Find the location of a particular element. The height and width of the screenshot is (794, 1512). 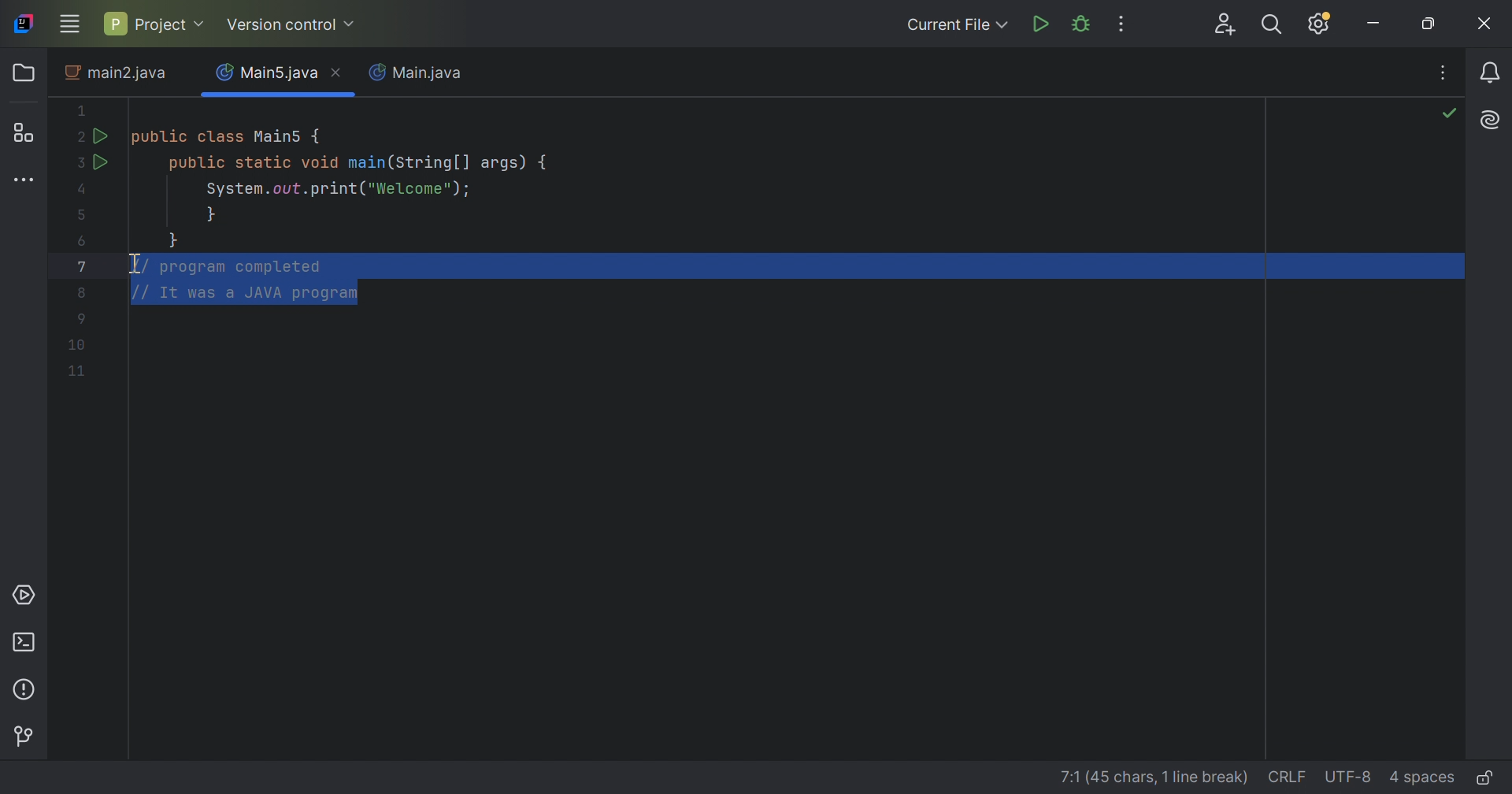

Version control is located at coordinates (293, 25).